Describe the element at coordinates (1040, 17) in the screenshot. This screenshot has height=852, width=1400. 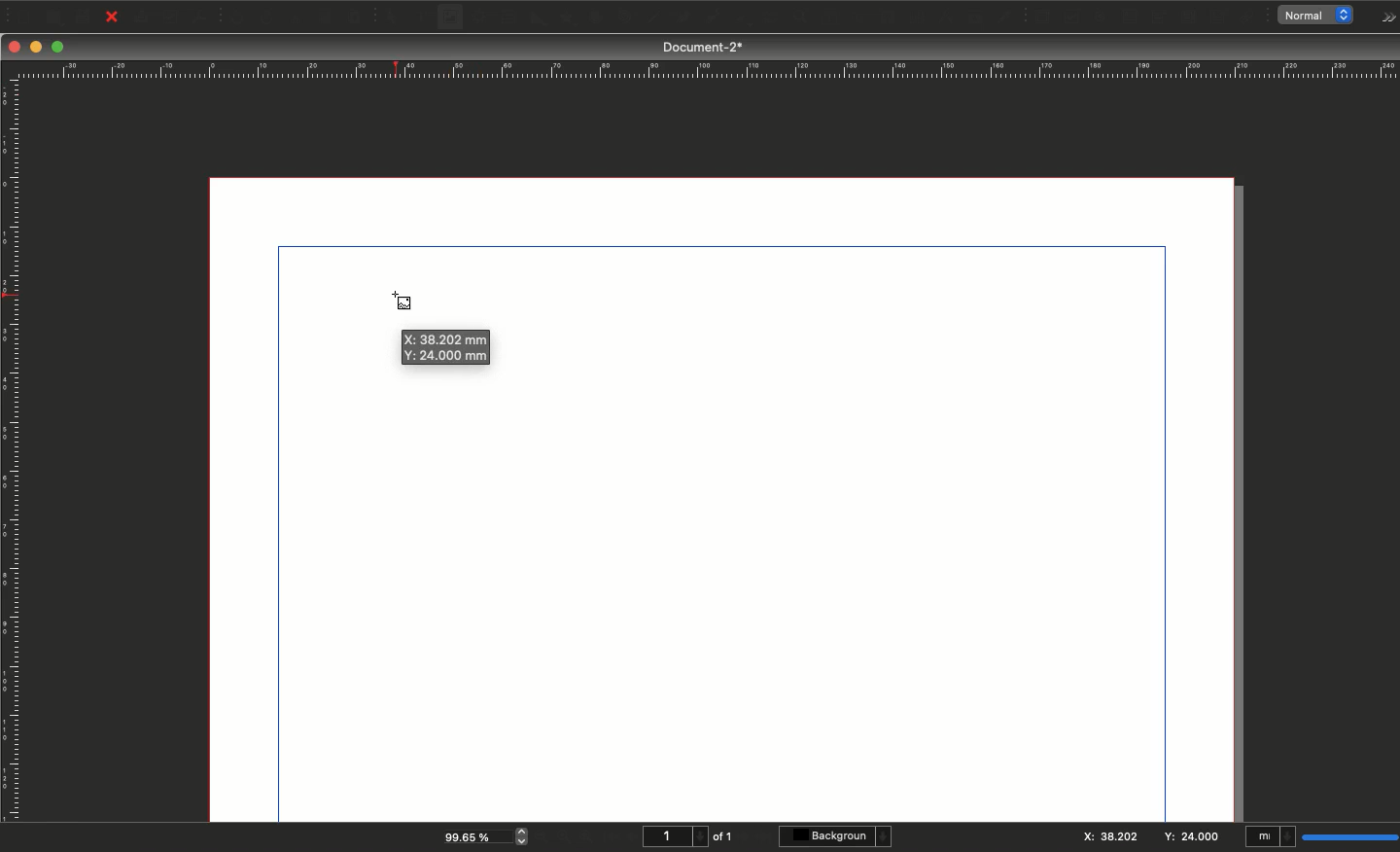
I see `PDF push button` at that location.